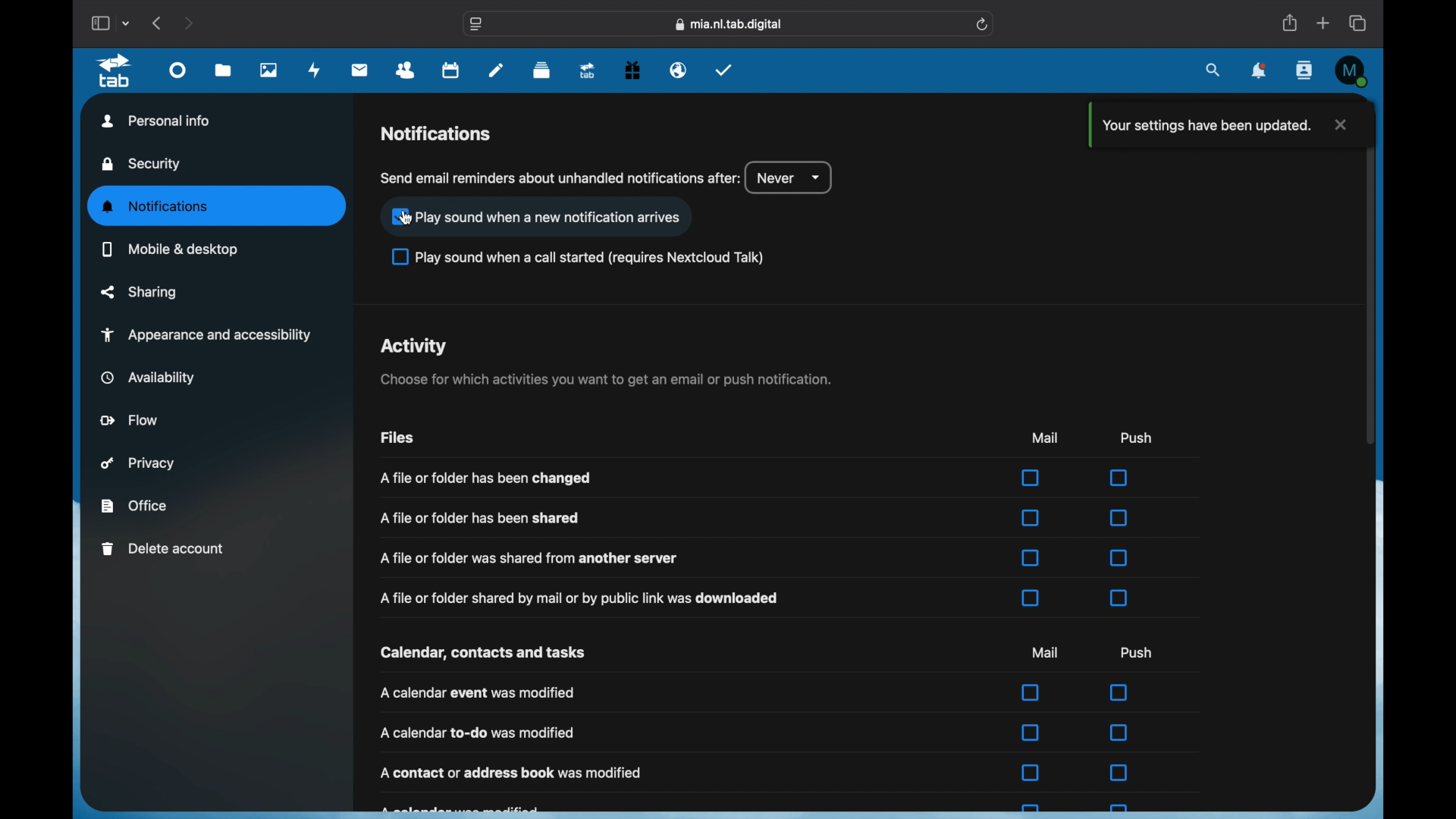 The width and height of the screenshot is (1456, 819). What do you see at coordinates (1119, 773) in the screenshot?
I see `checkbox` at bounding box center [1119, 773].